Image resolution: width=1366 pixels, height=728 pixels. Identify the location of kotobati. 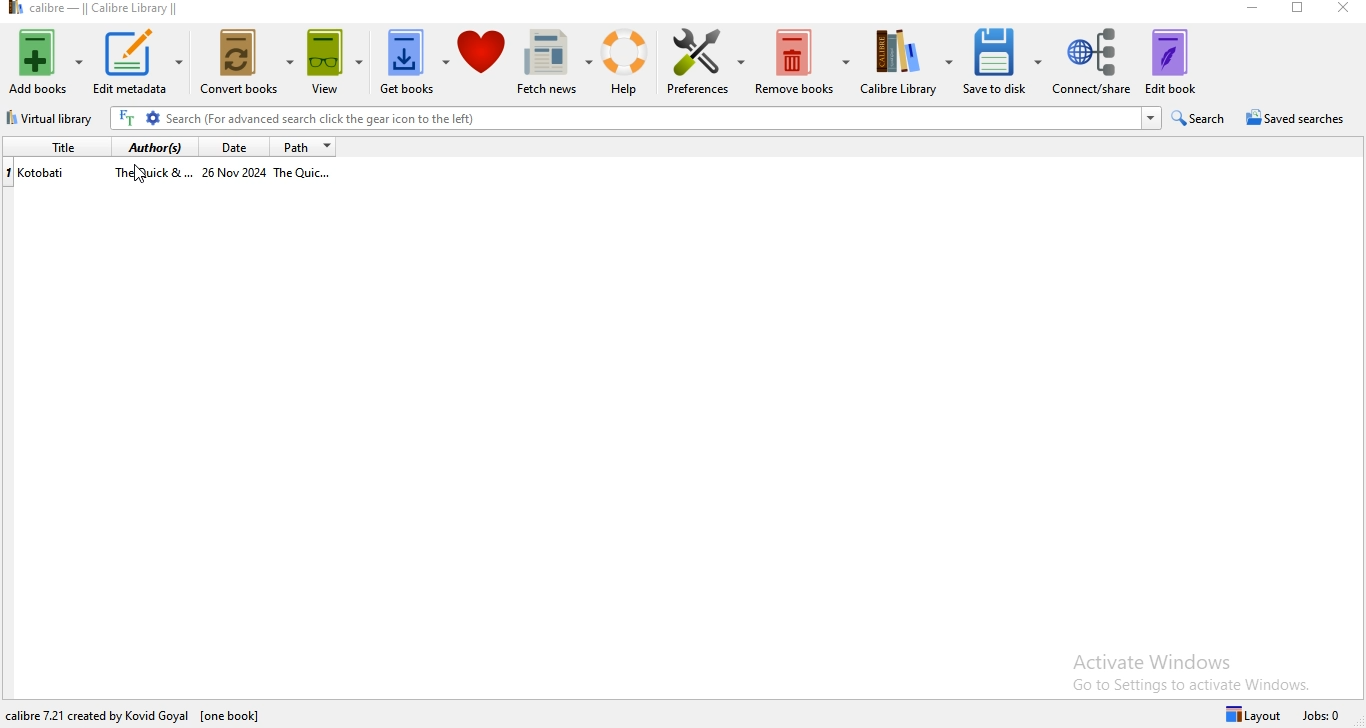
(47, 174).